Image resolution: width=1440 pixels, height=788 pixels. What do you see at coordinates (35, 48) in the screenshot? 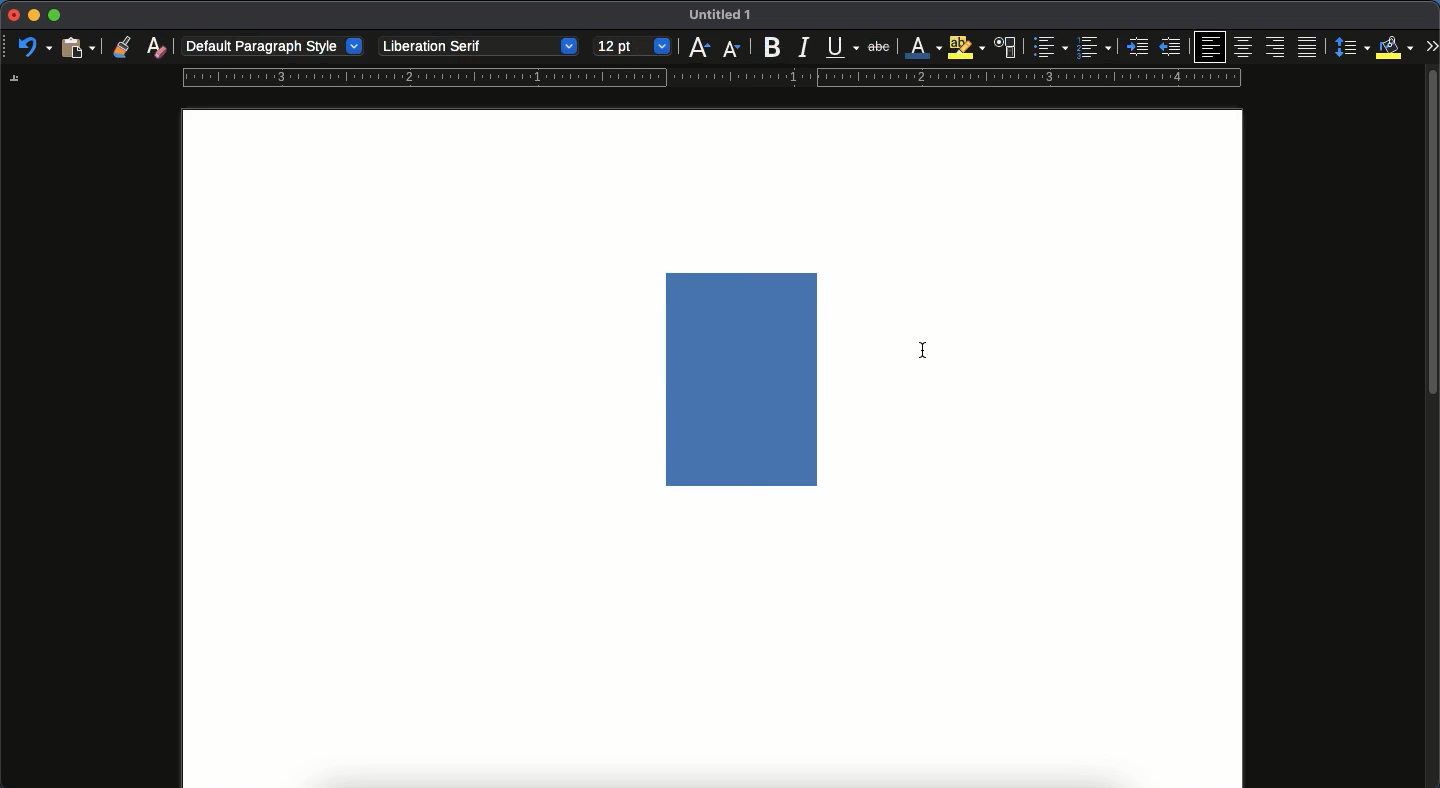
I see `undo` at bounding box center [35, 48].